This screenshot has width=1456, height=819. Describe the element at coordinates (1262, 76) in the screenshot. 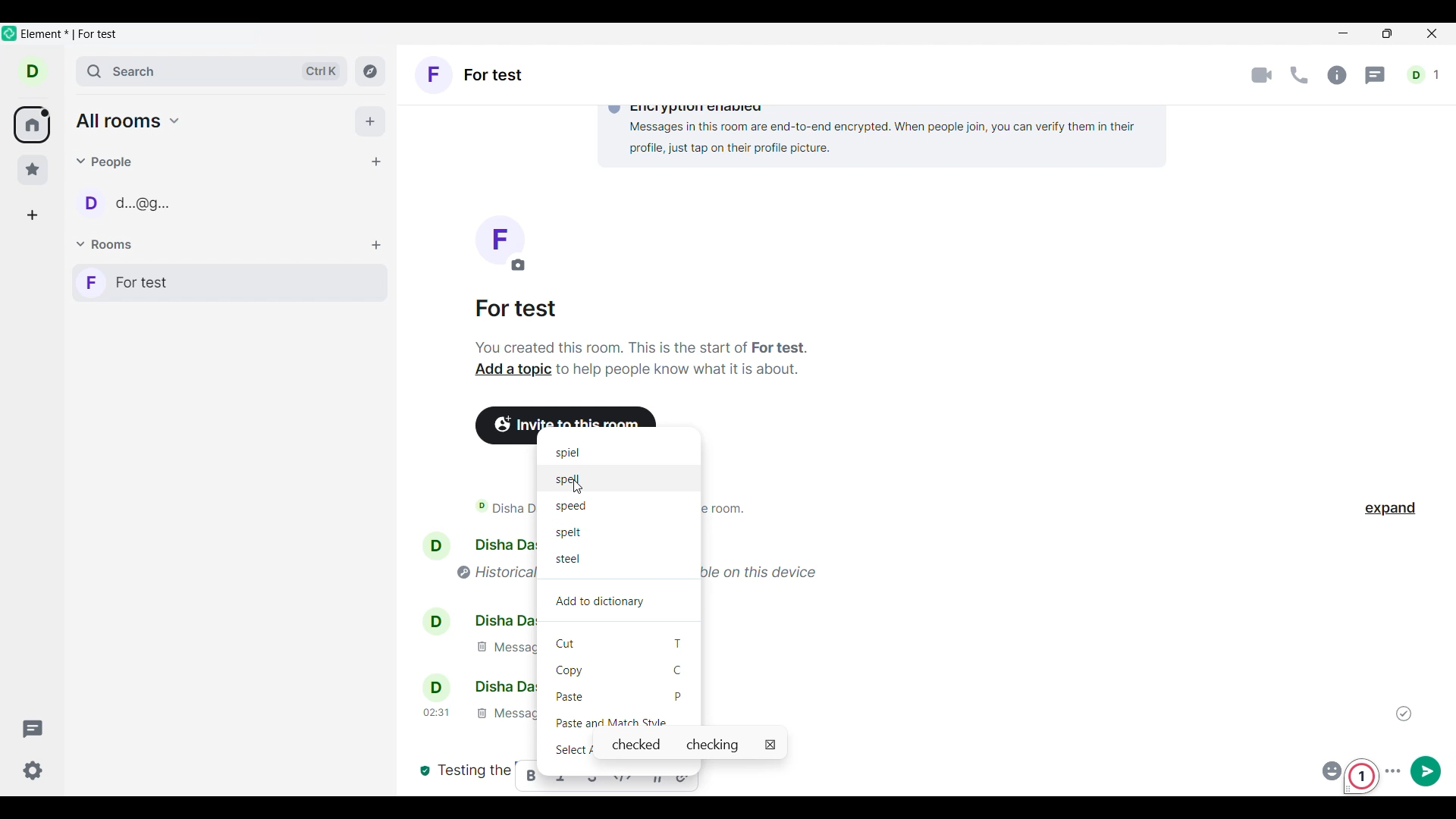

I see `Video call` at that location.